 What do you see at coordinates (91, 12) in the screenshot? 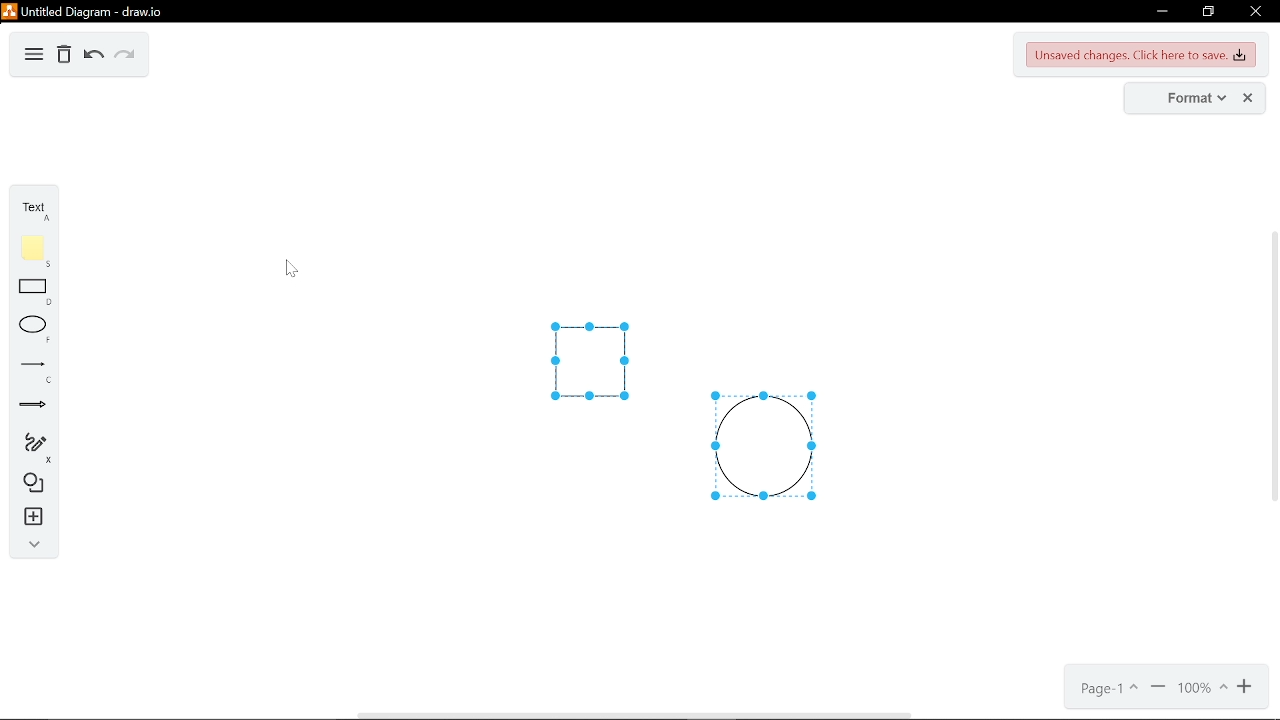
I see `untitled duagram - draw.io` at bounding box center [91, 12].